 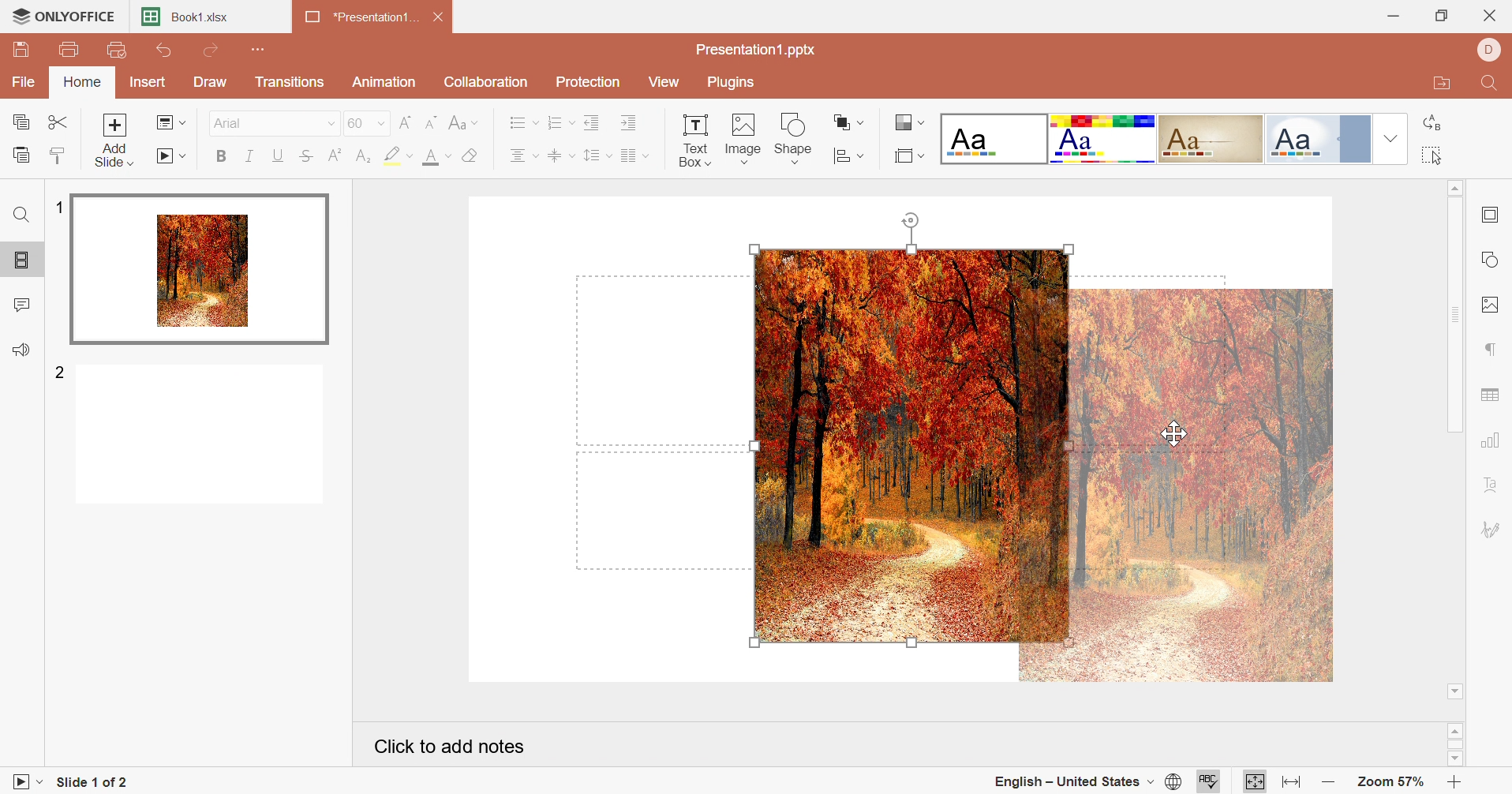 What do you see at coordinates (250, 156) in the screenshot?
I see `Italic` at bounding box center [250, 156].